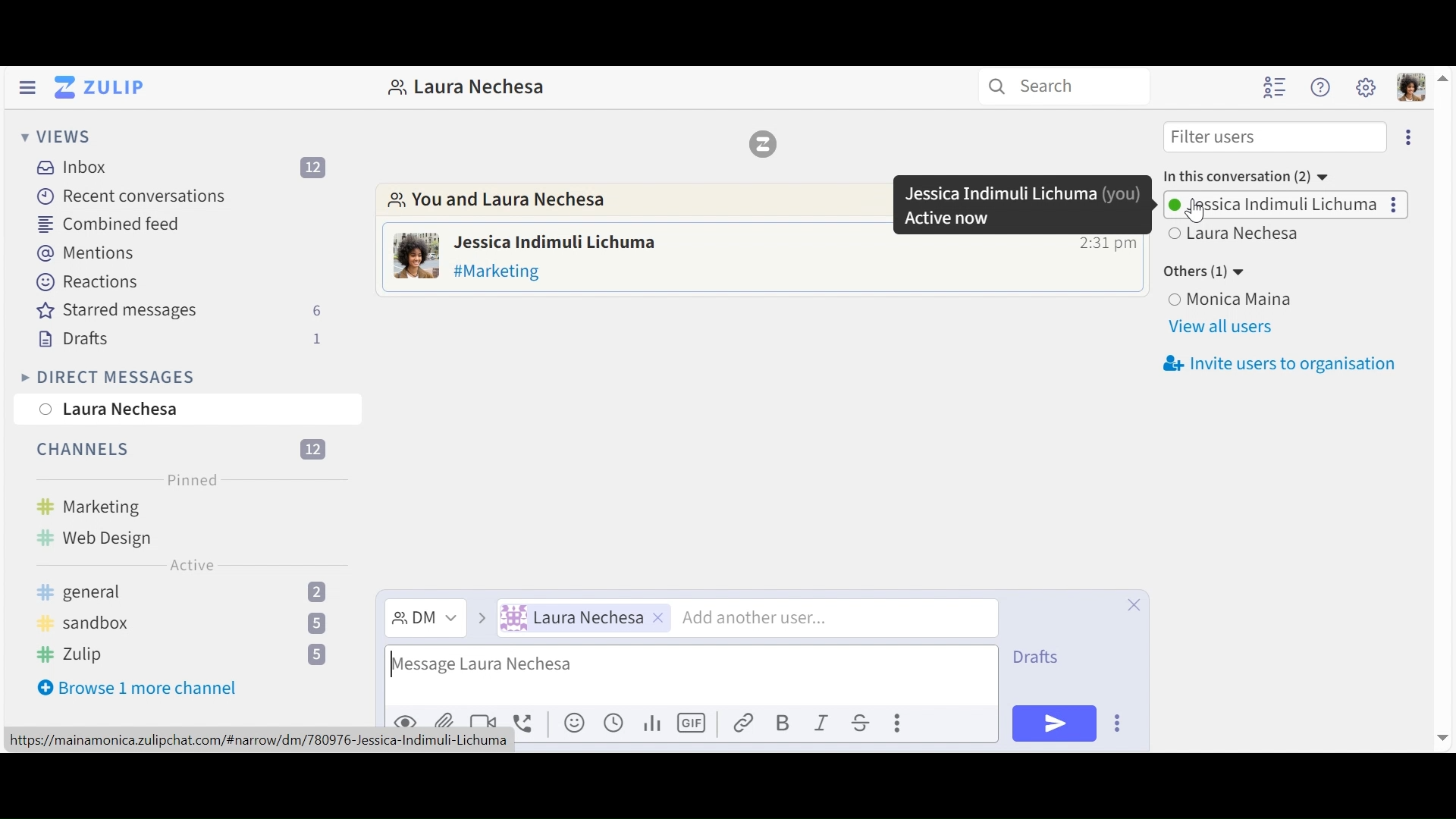 This screenshot has width=1456, height=819. I want to click on Add another user, so click(753, 619).